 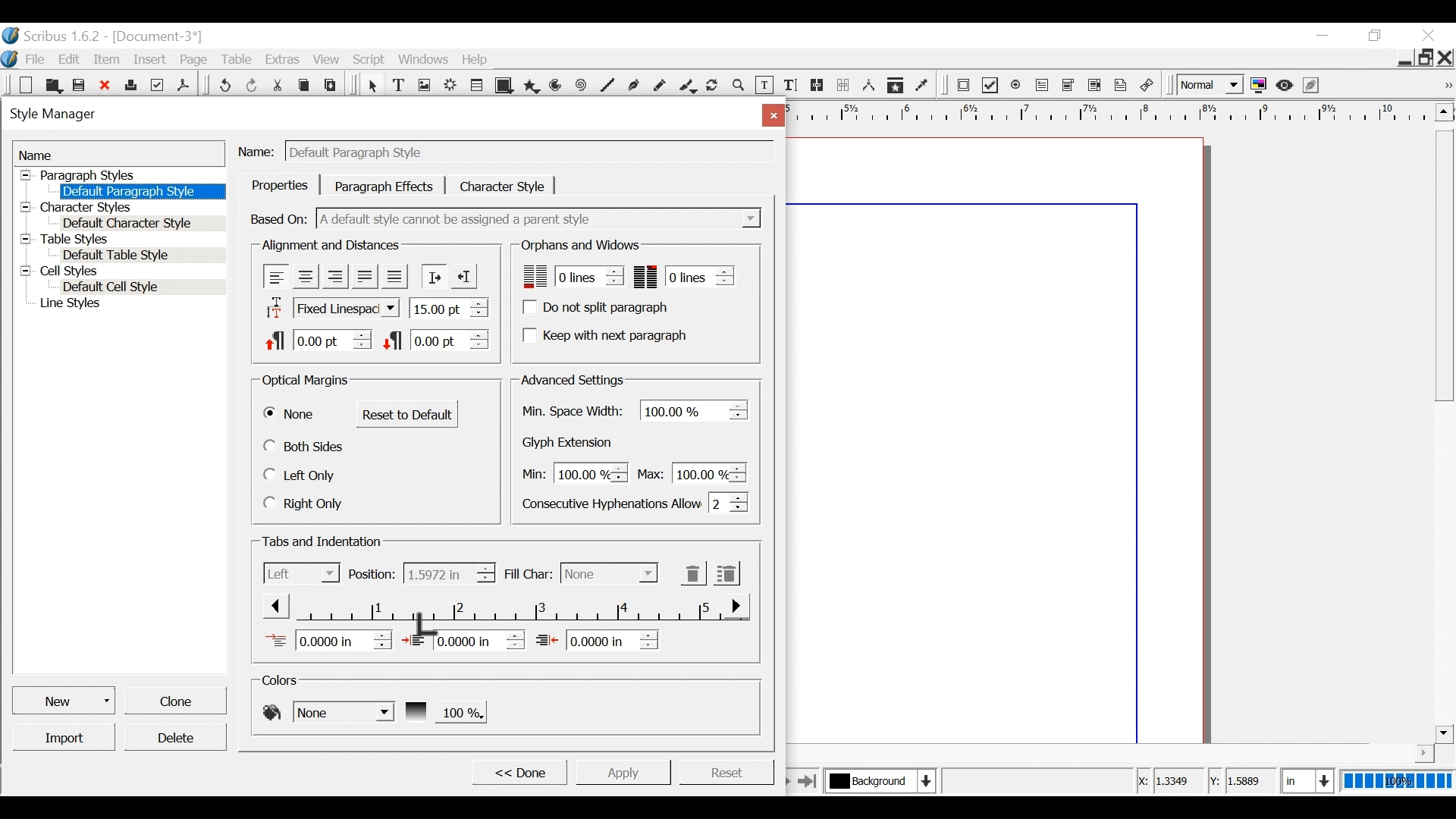 I want to click on Right Indent , so click(x=597, y=639).